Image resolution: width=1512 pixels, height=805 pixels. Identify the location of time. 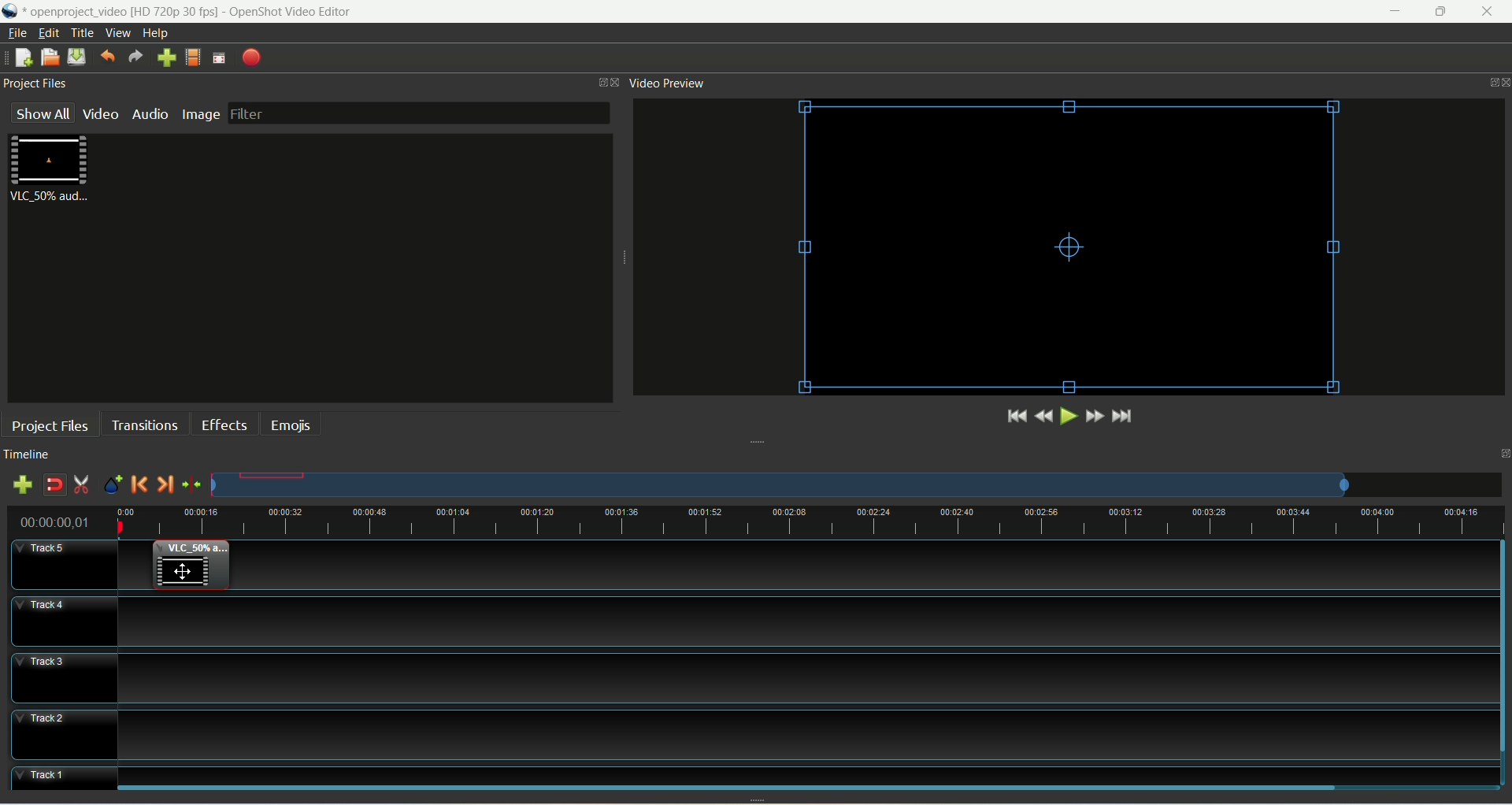
(63, 520).